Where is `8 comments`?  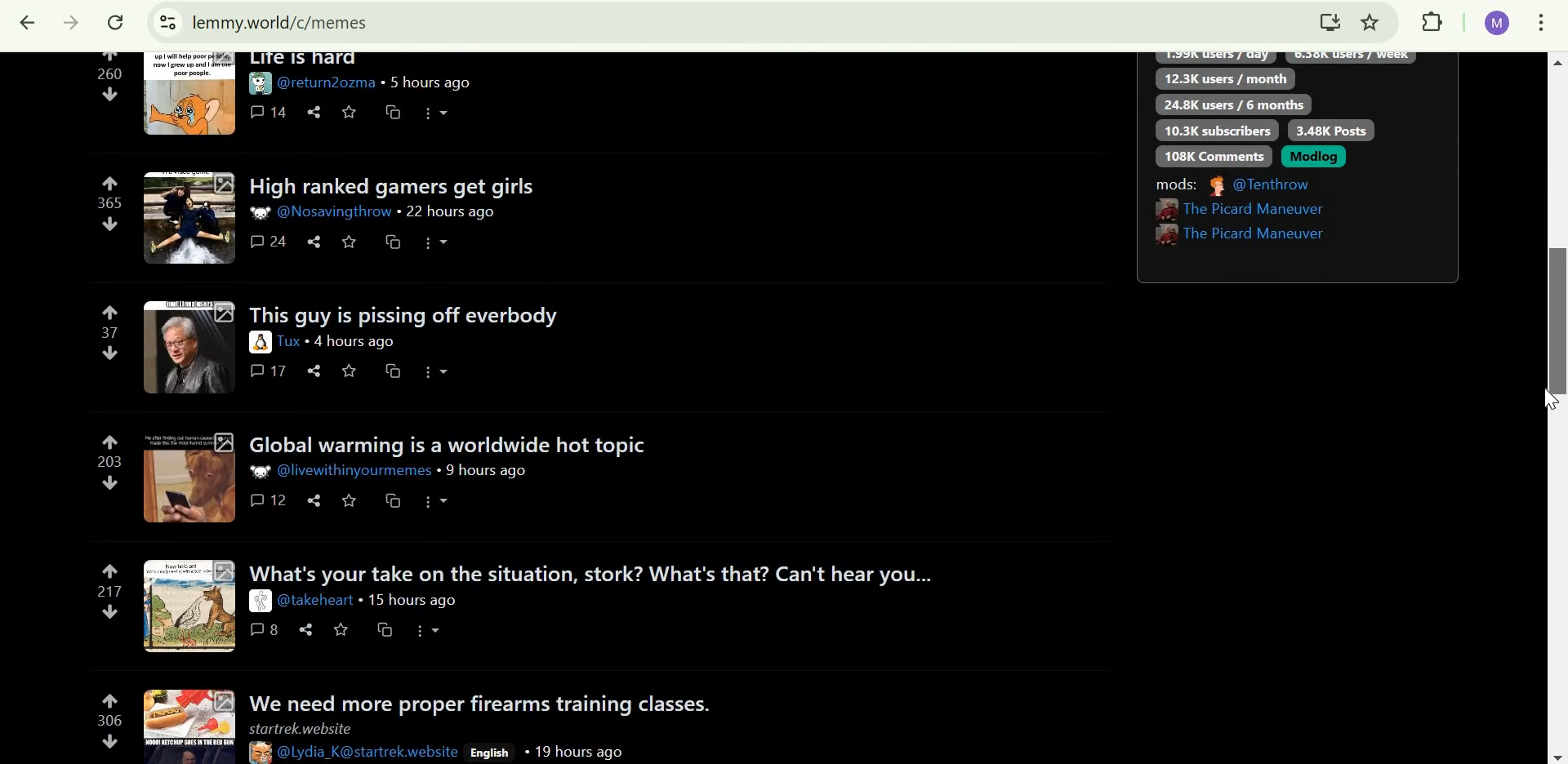
8 comments is located at coordinates (266, 630).